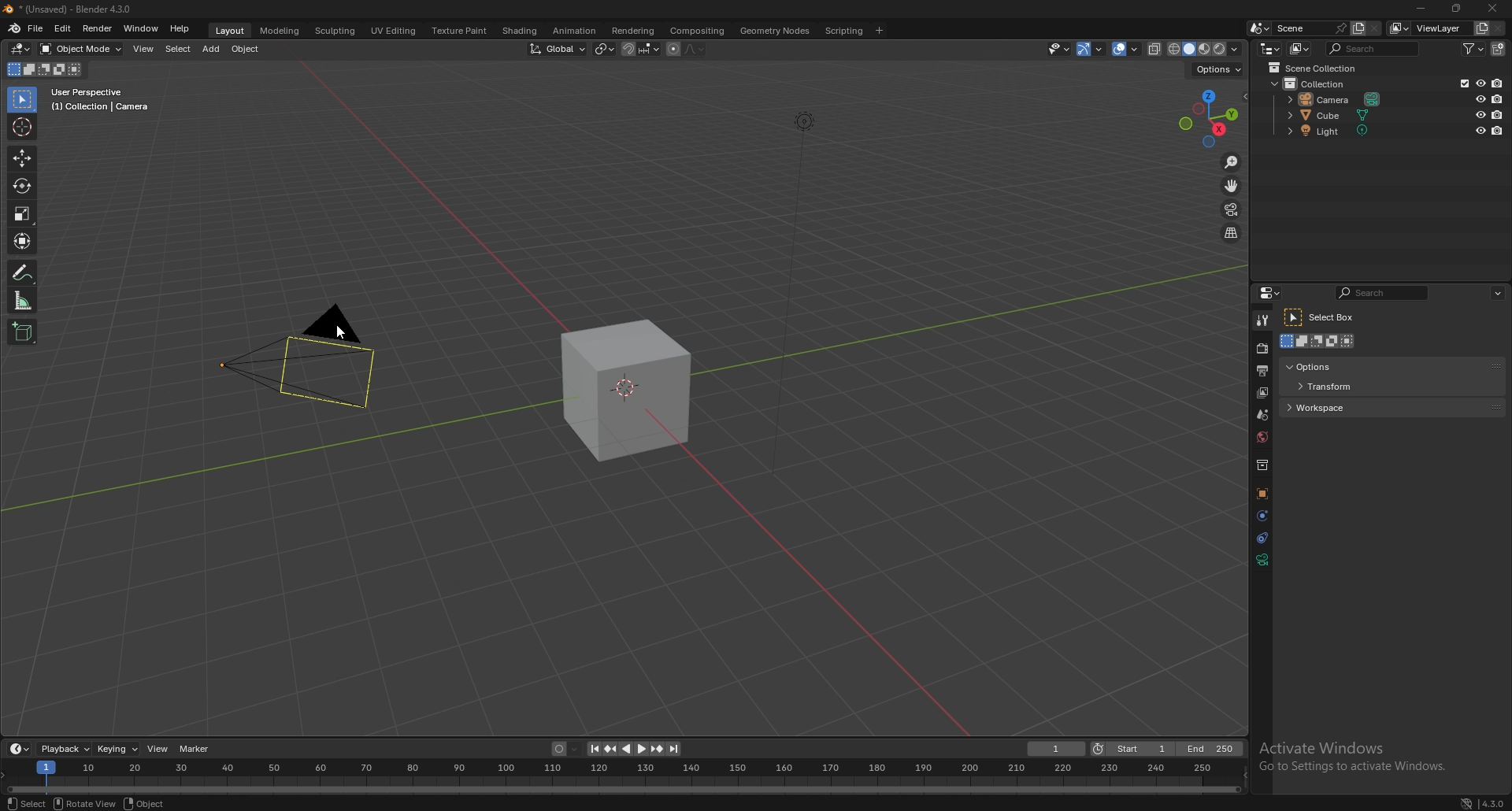 This screenshot has width=1512, height=811. What do you see at coordinates (97, 28) in the screenshot?
I see `render` at bounding box center [97, 28].